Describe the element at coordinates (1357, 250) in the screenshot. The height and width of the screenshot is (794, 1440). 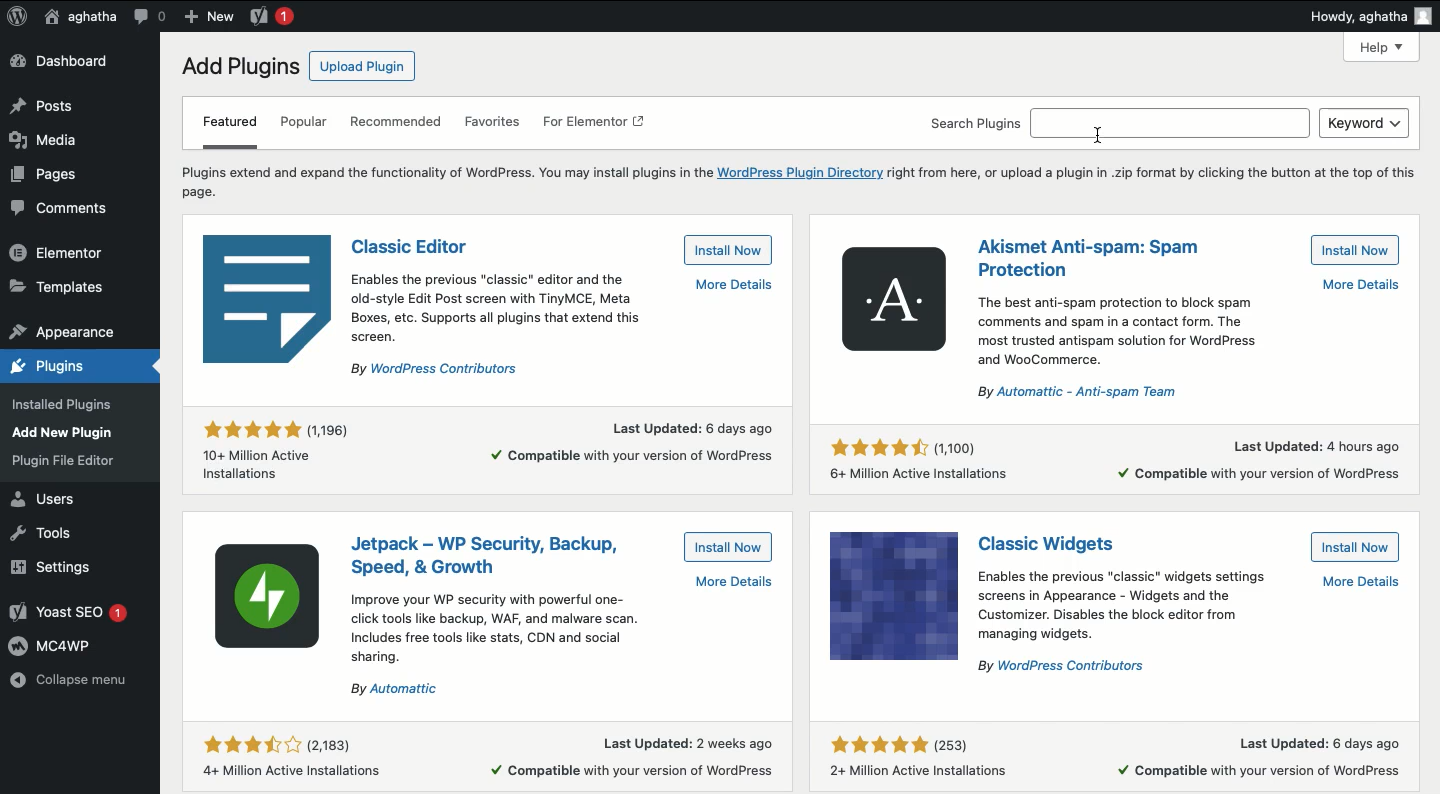
I see `Install now` at that location.